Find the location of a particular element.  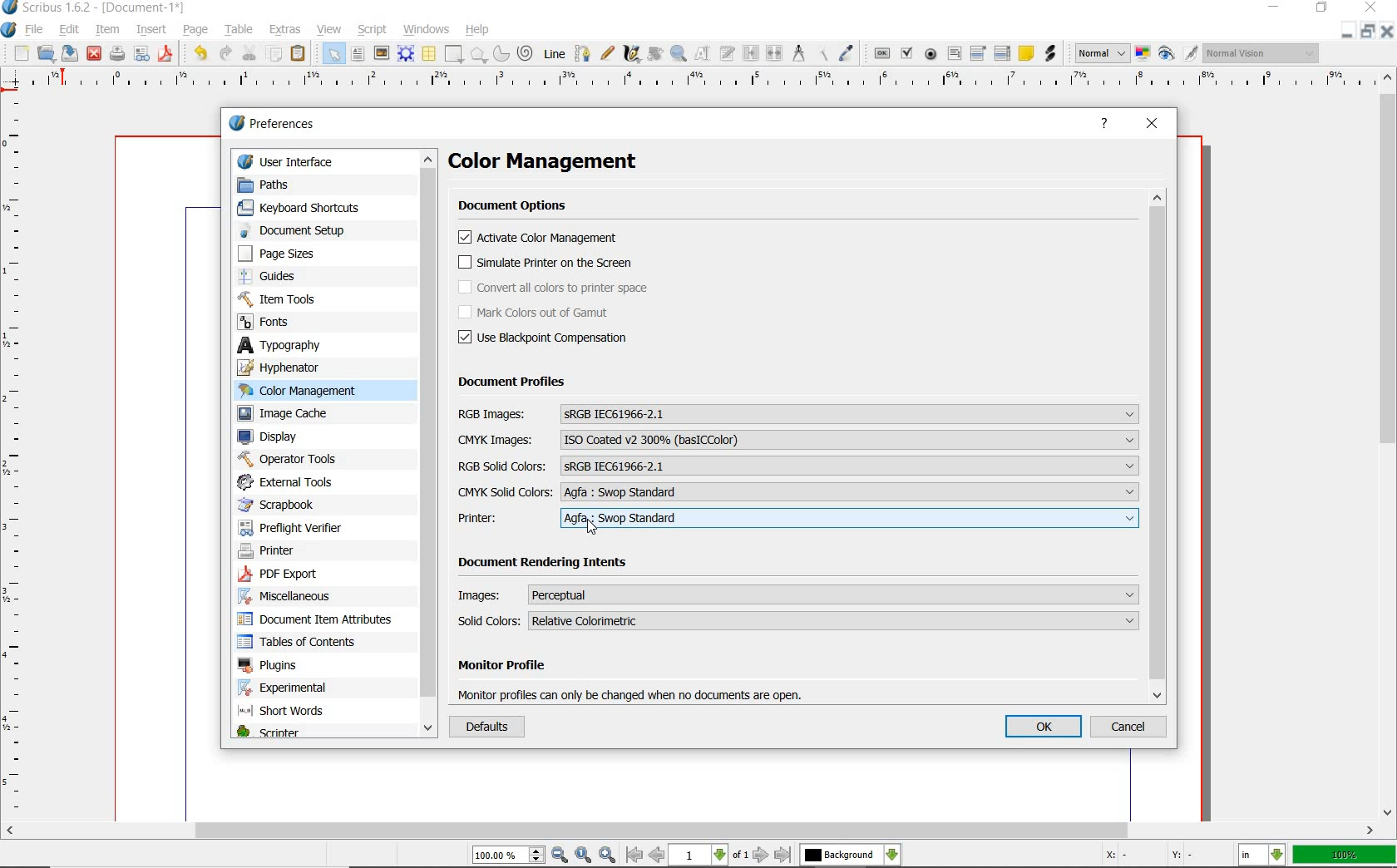

link annotation is located at coordinates (1051, 54).